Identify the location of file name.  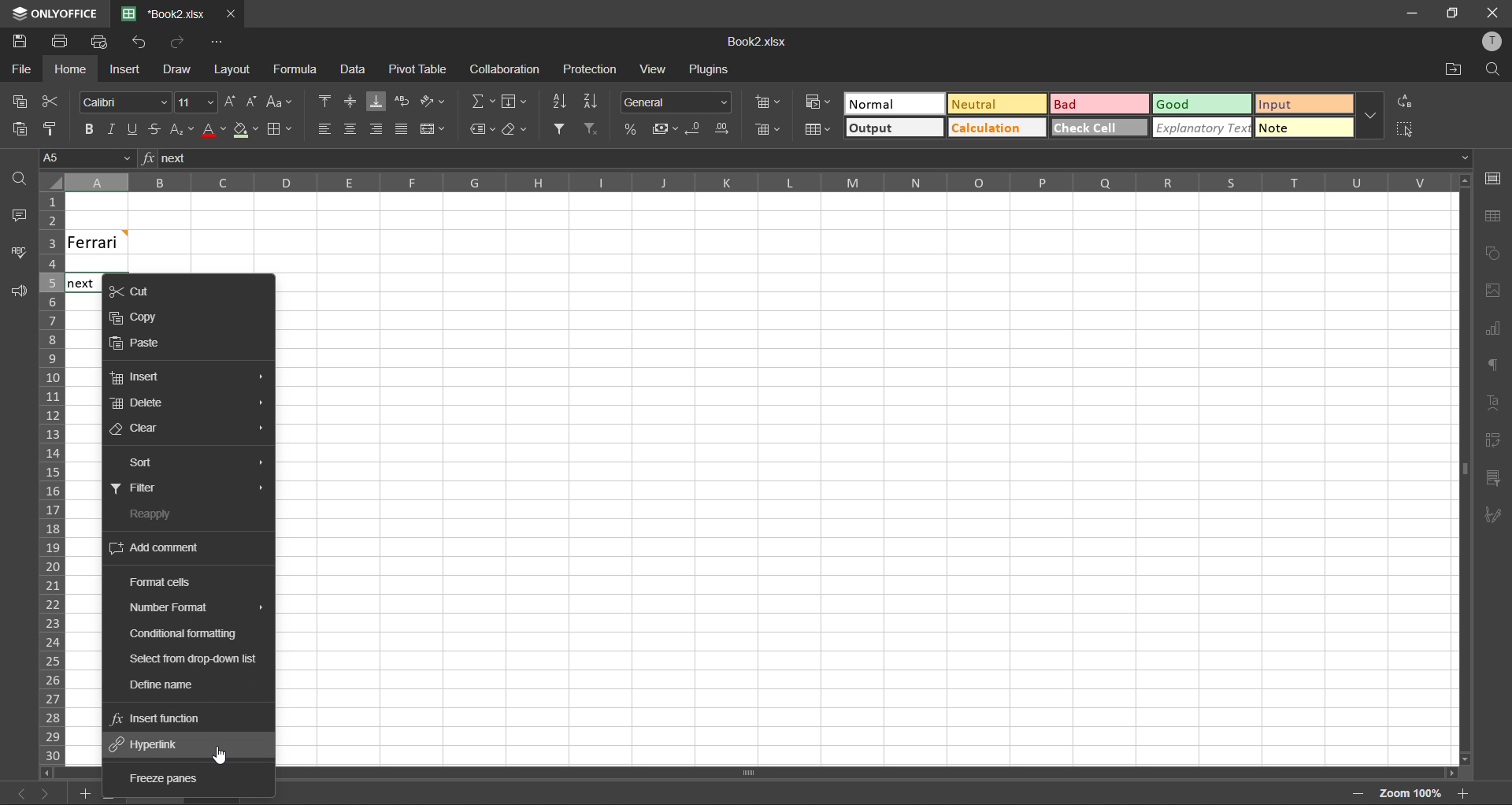
(170, 14).